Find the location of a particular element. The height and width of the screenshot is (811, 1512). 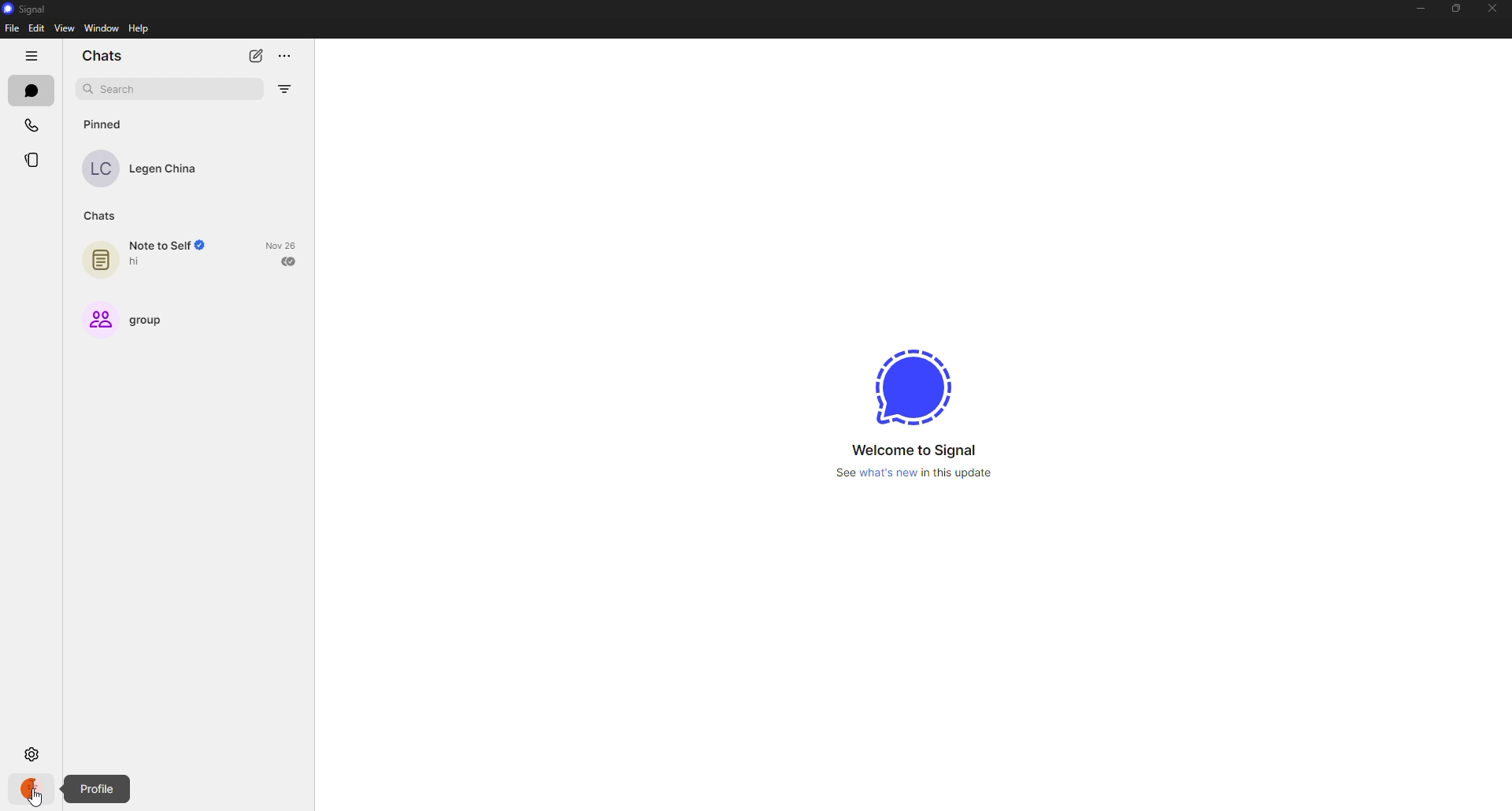

chats is located at coordinates (98, 217).